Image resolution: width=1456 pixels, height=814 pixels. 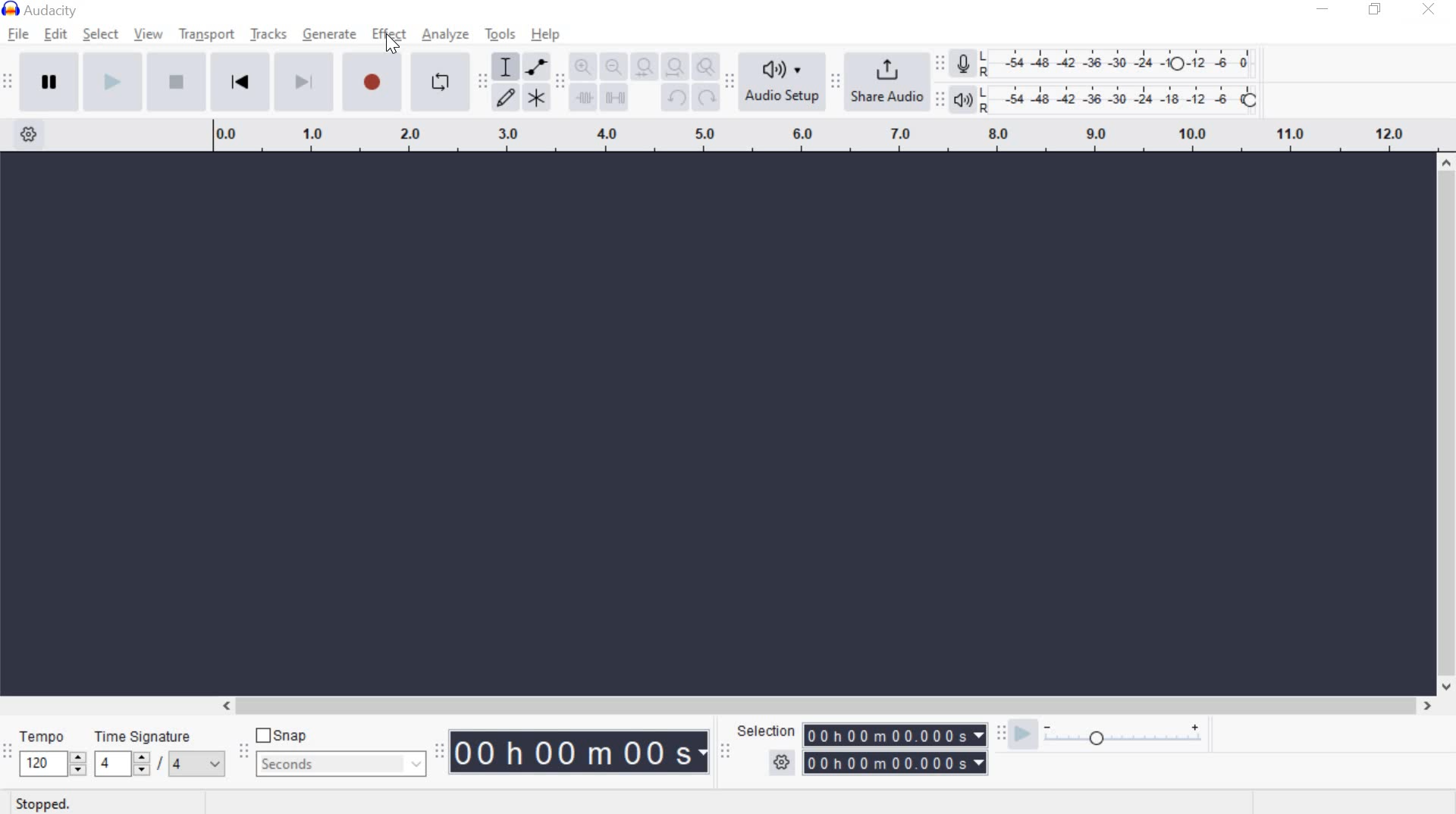 What do you see at coordinates (506, 99) in the screenshot?
I see `Draw tool` at bounding box center [506, 99].